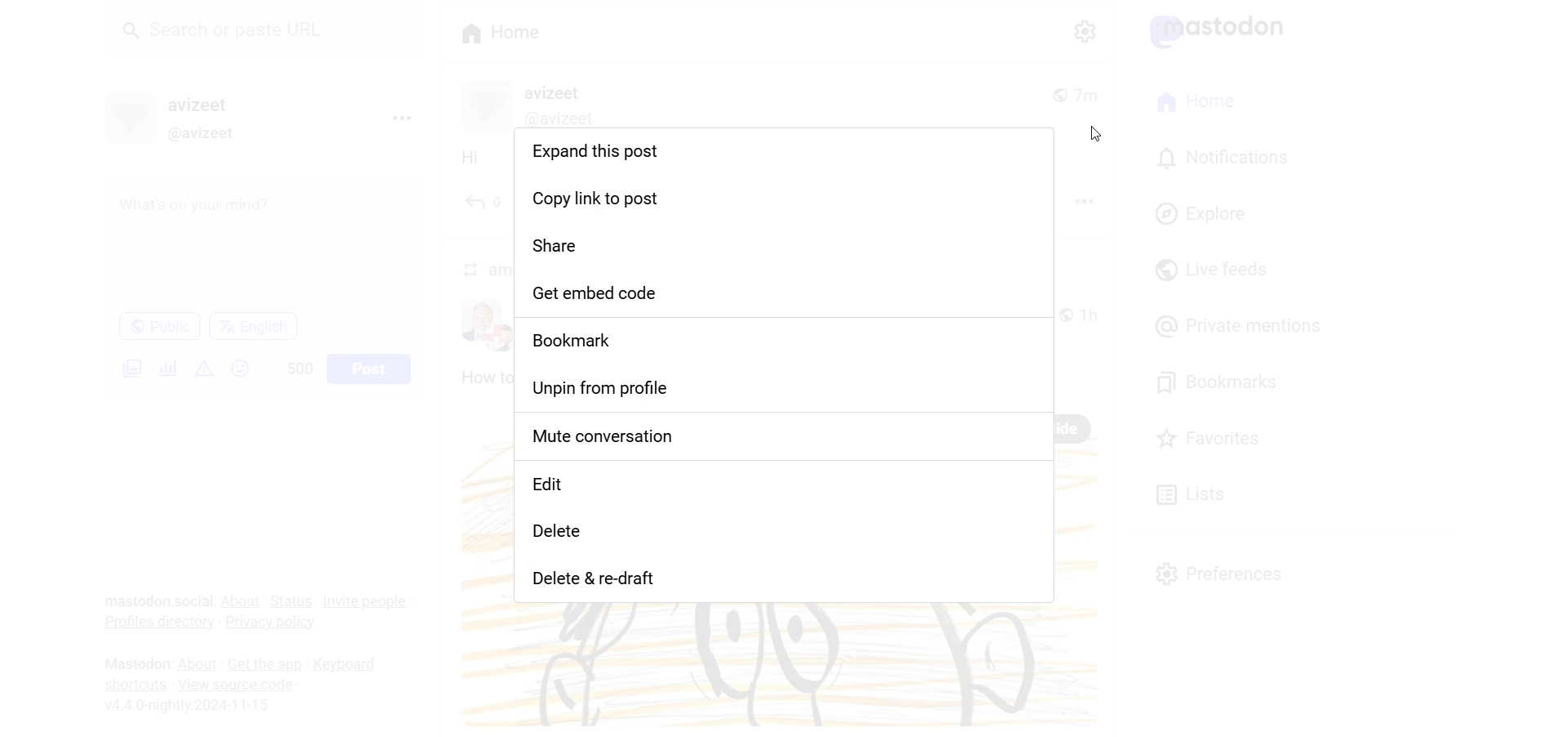 This screenshot has height=737, width=1568. Describe the element at coordinates (196, 663) in the screenshot. I see `About` at that location.